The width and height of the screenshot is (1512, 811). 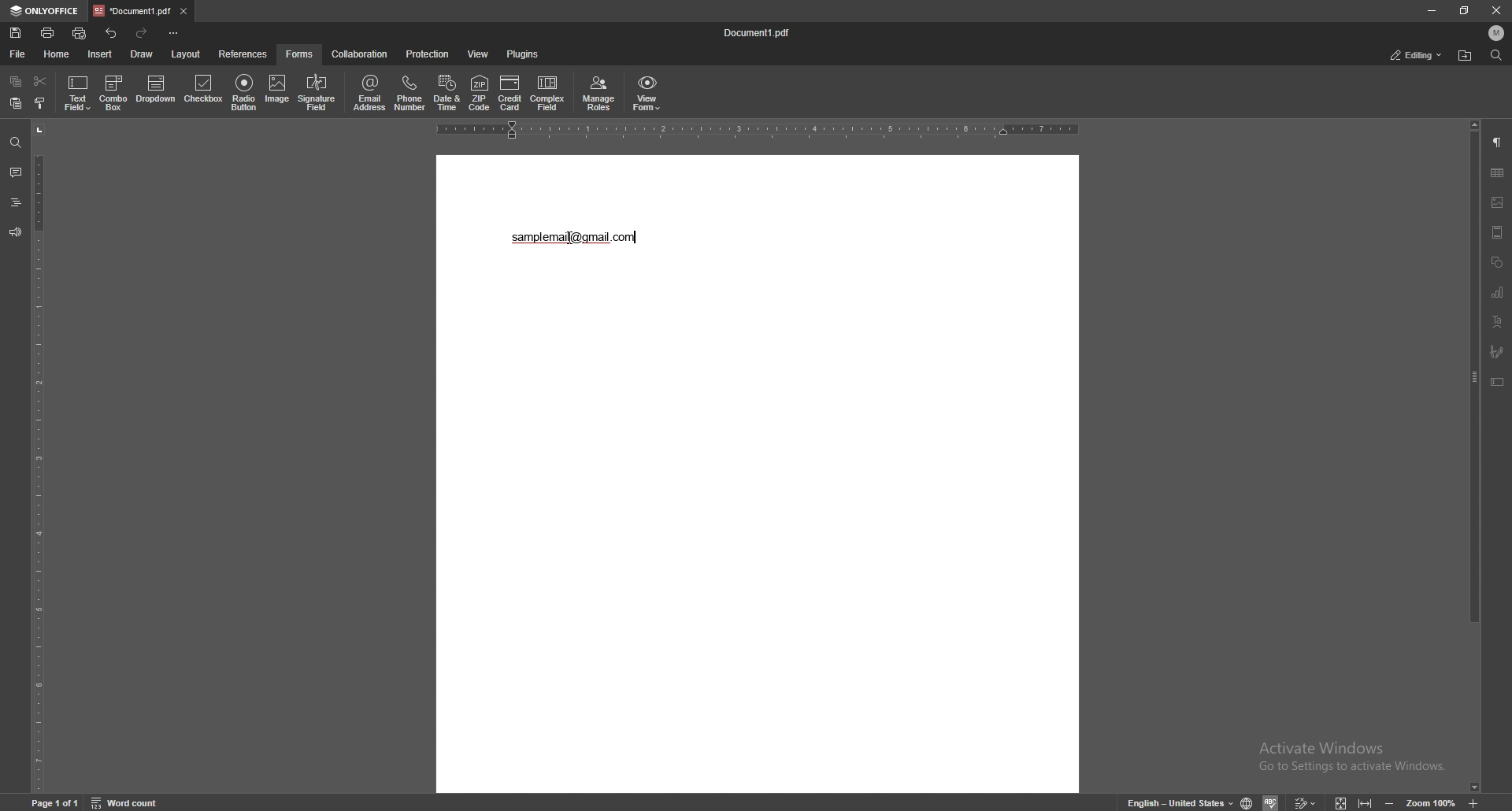 What do you see at coordinates (99, 54) in the screenshot?
I see `insert` at bounding box center [99, 54].